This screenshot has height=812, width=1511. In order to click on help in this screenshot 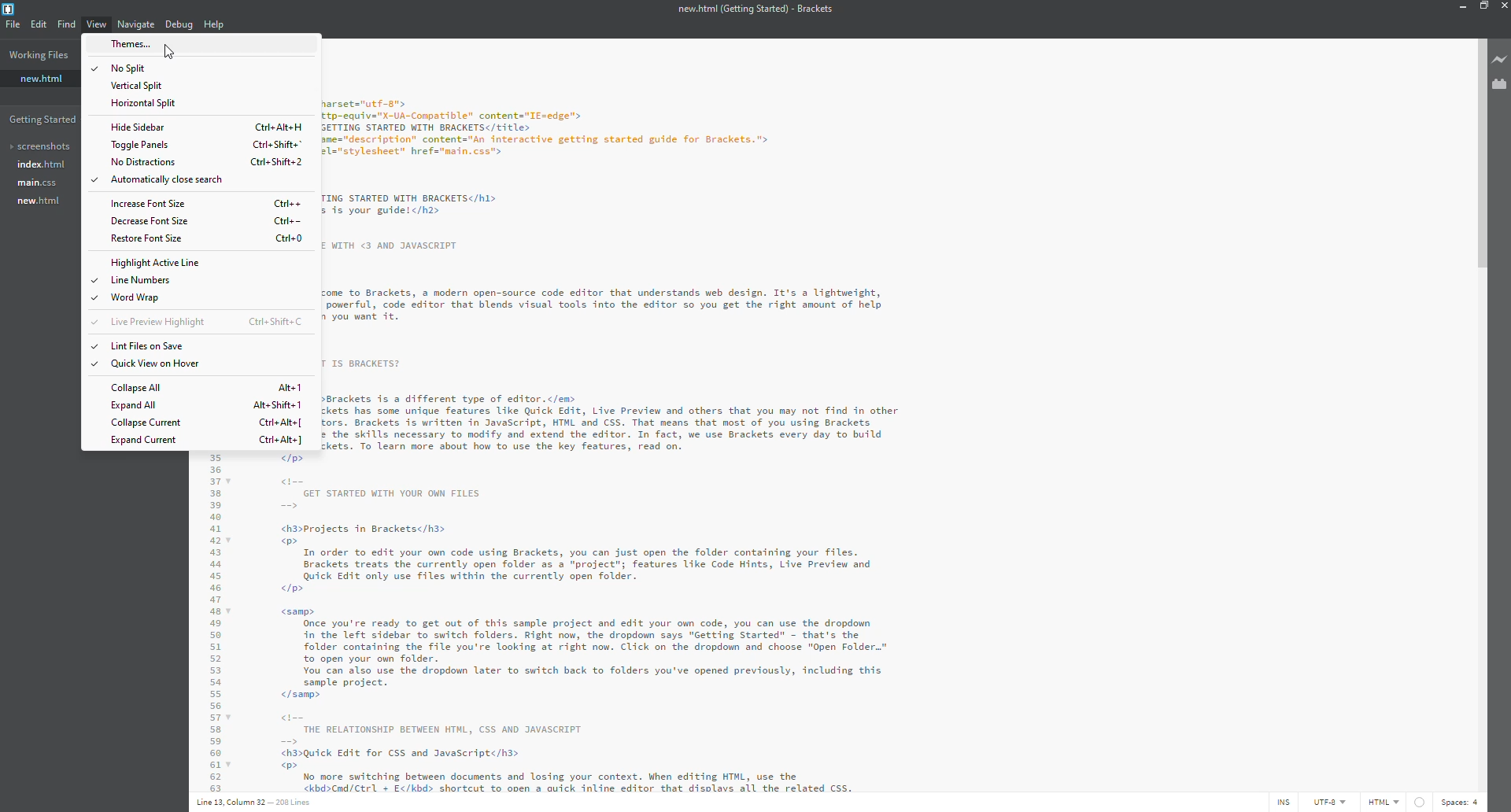, I will do `click(212, 24)`.